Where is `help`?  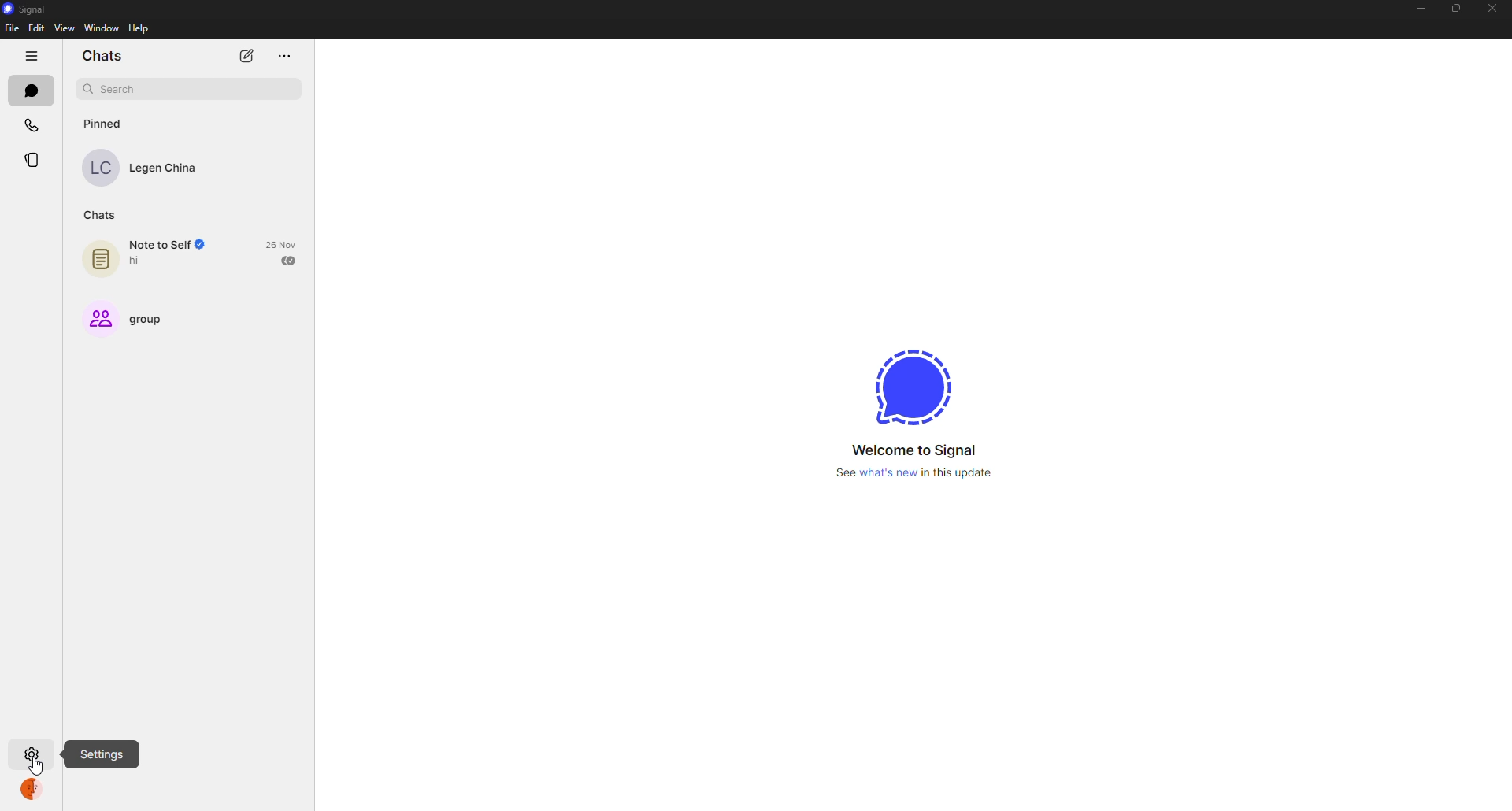 help is located at coordinates (140, 28).